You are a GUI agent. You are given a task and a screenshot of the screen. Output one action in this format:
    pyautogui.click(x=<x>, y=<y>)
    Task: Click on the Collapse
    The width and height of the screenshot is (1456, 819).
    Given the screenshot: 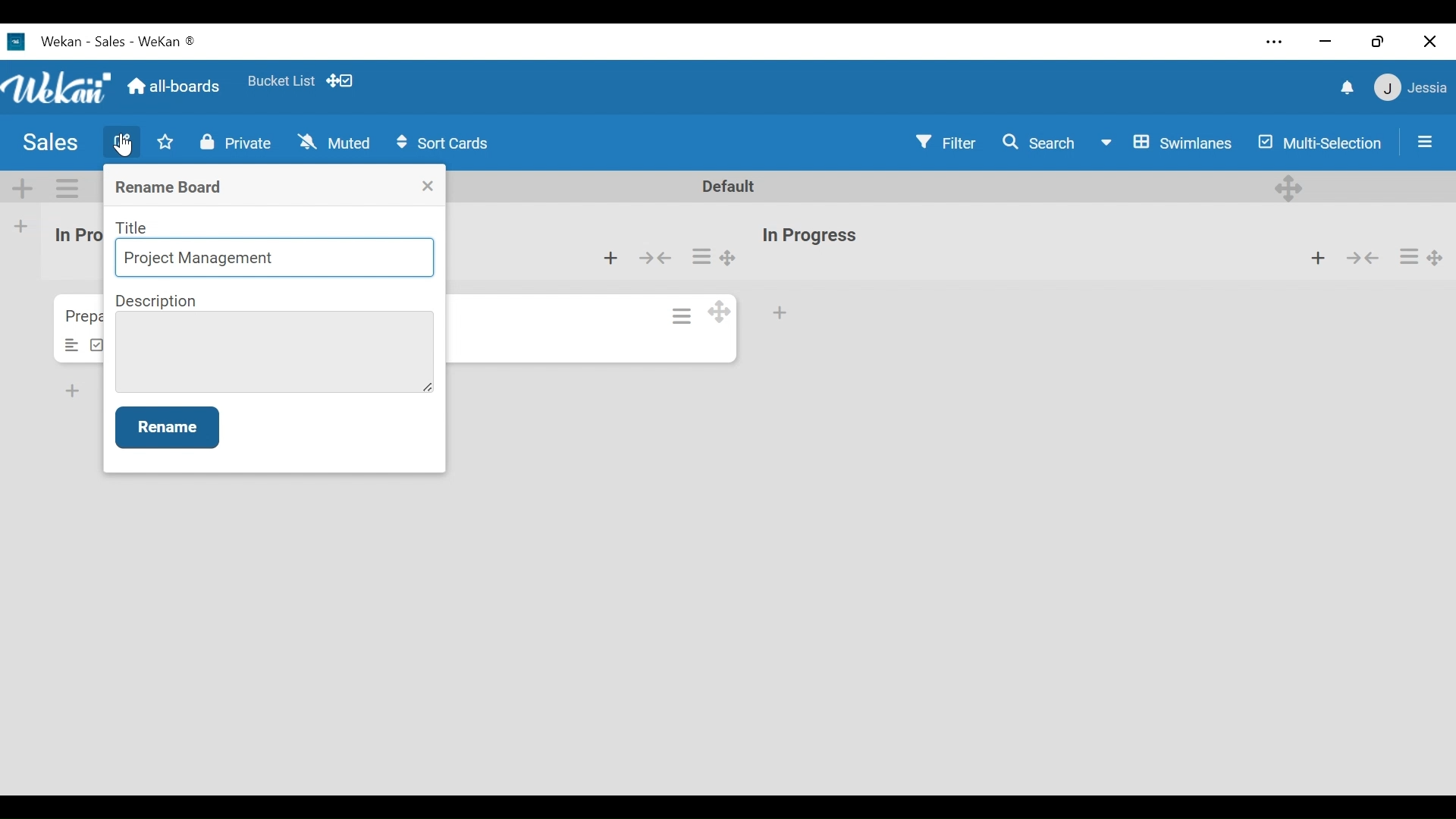 What is the action you would take?
    pyautogui.click(x=654, y=259)
    